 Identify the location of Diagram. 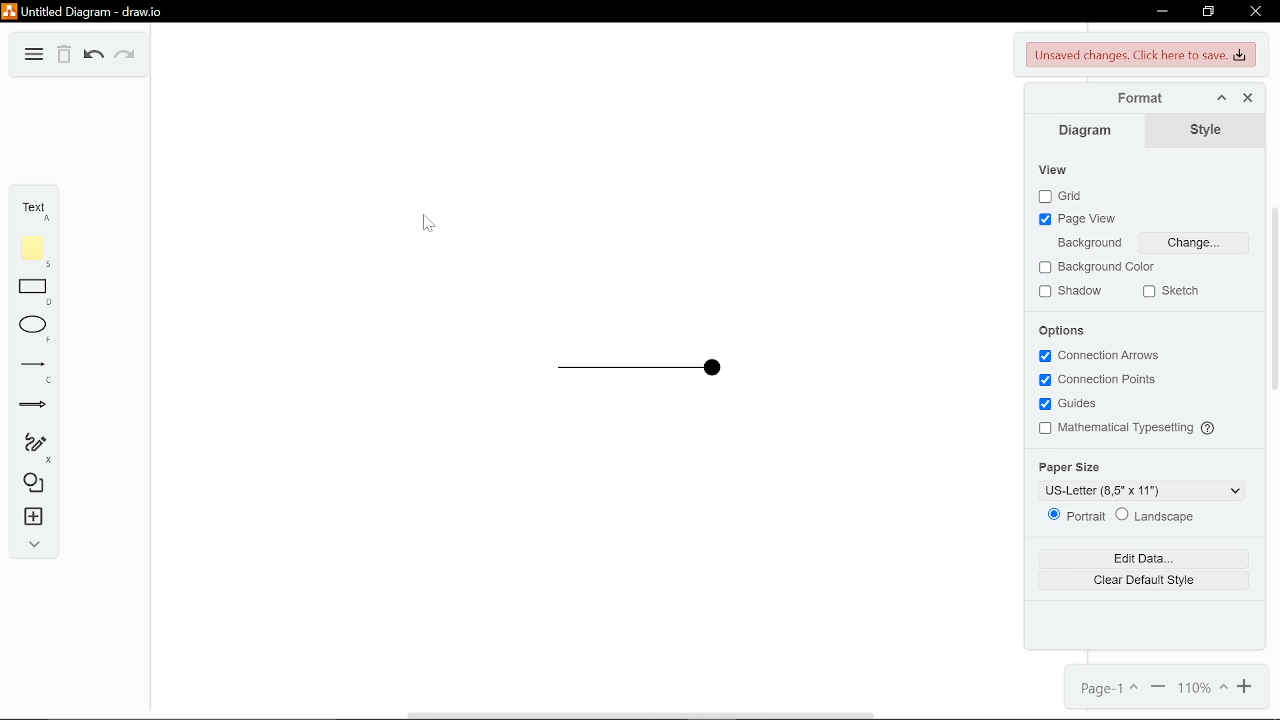
(34, 55).